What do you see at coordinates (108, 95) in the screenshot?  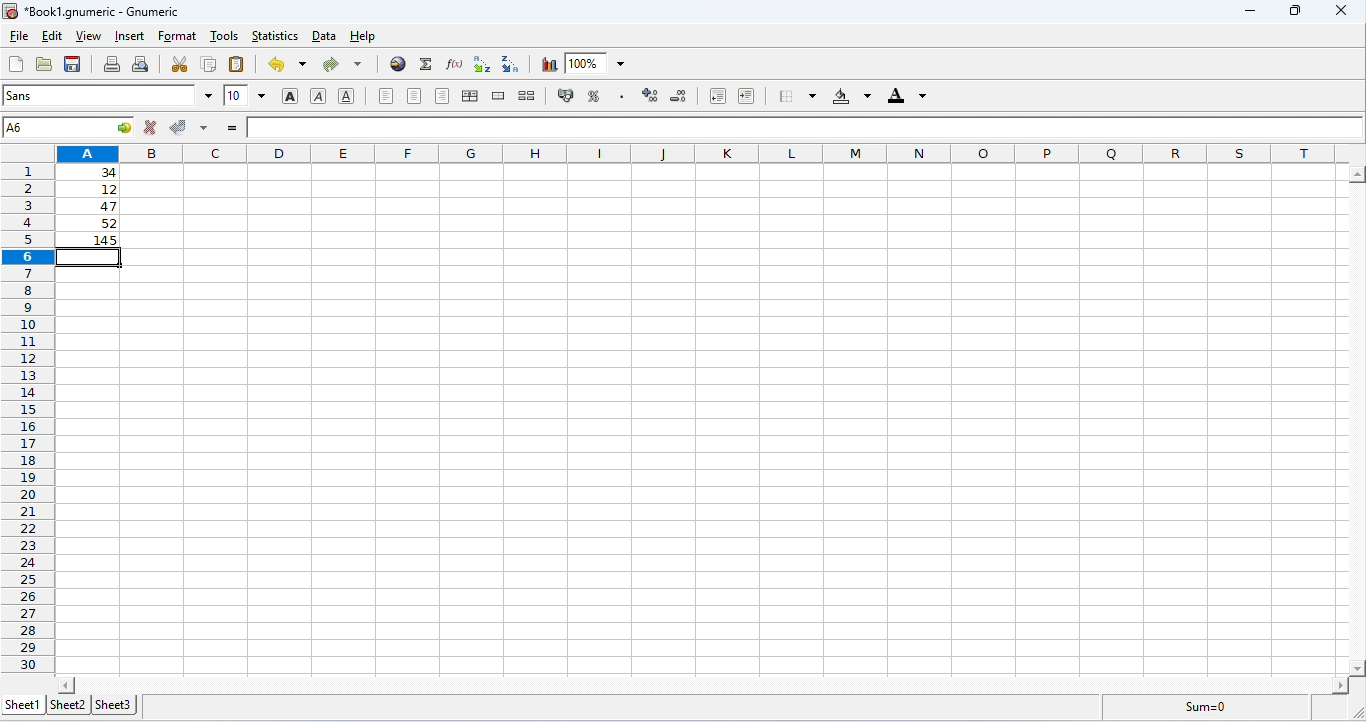 I see `font style` at bounding box center [108, 95].